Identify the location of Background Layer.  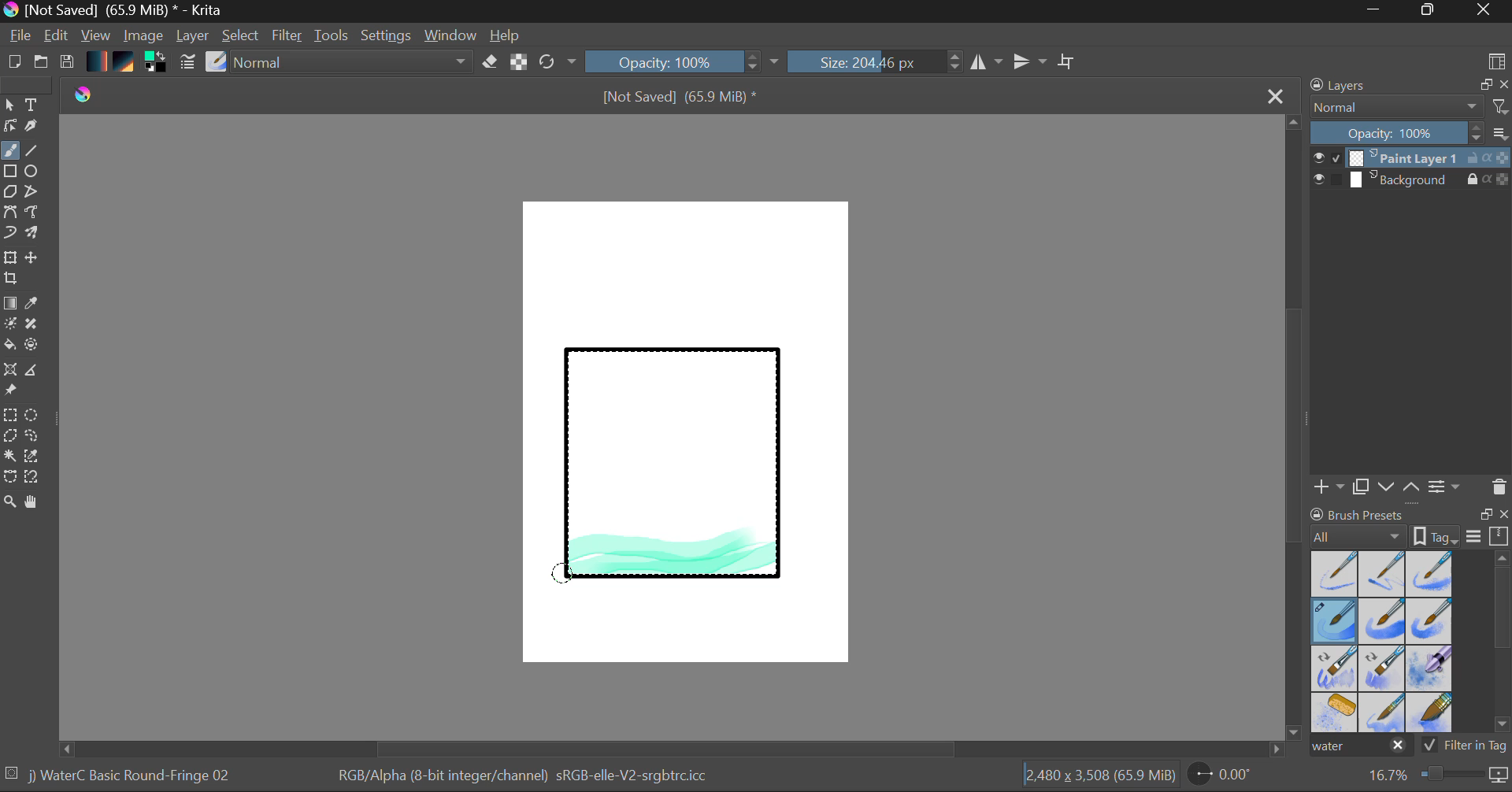
(1411, 180).